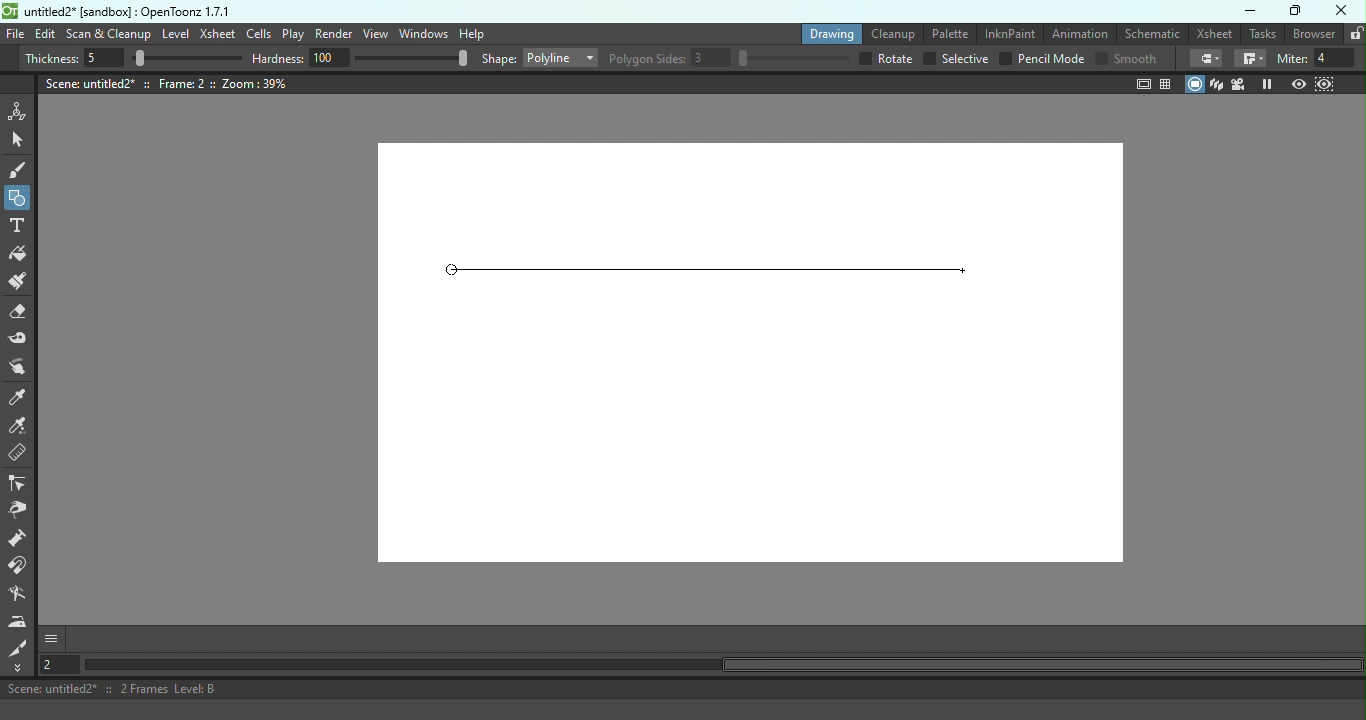 This screenshot has height=720, width=1366. What do you see at coordinates (22, 254) in the screenshot?
I see `Fill tool` at bounding box center [22, 254].